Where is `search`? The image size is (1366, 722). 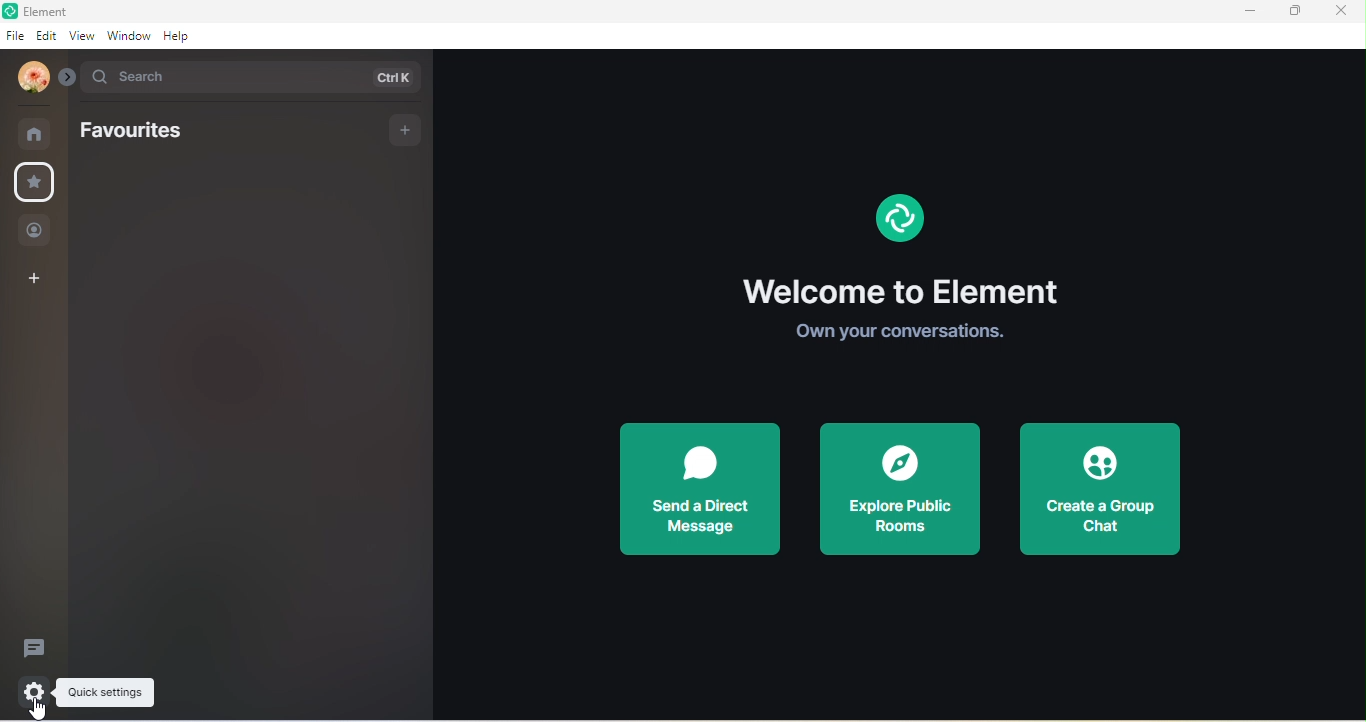
search is located at coordinates (250, 77).